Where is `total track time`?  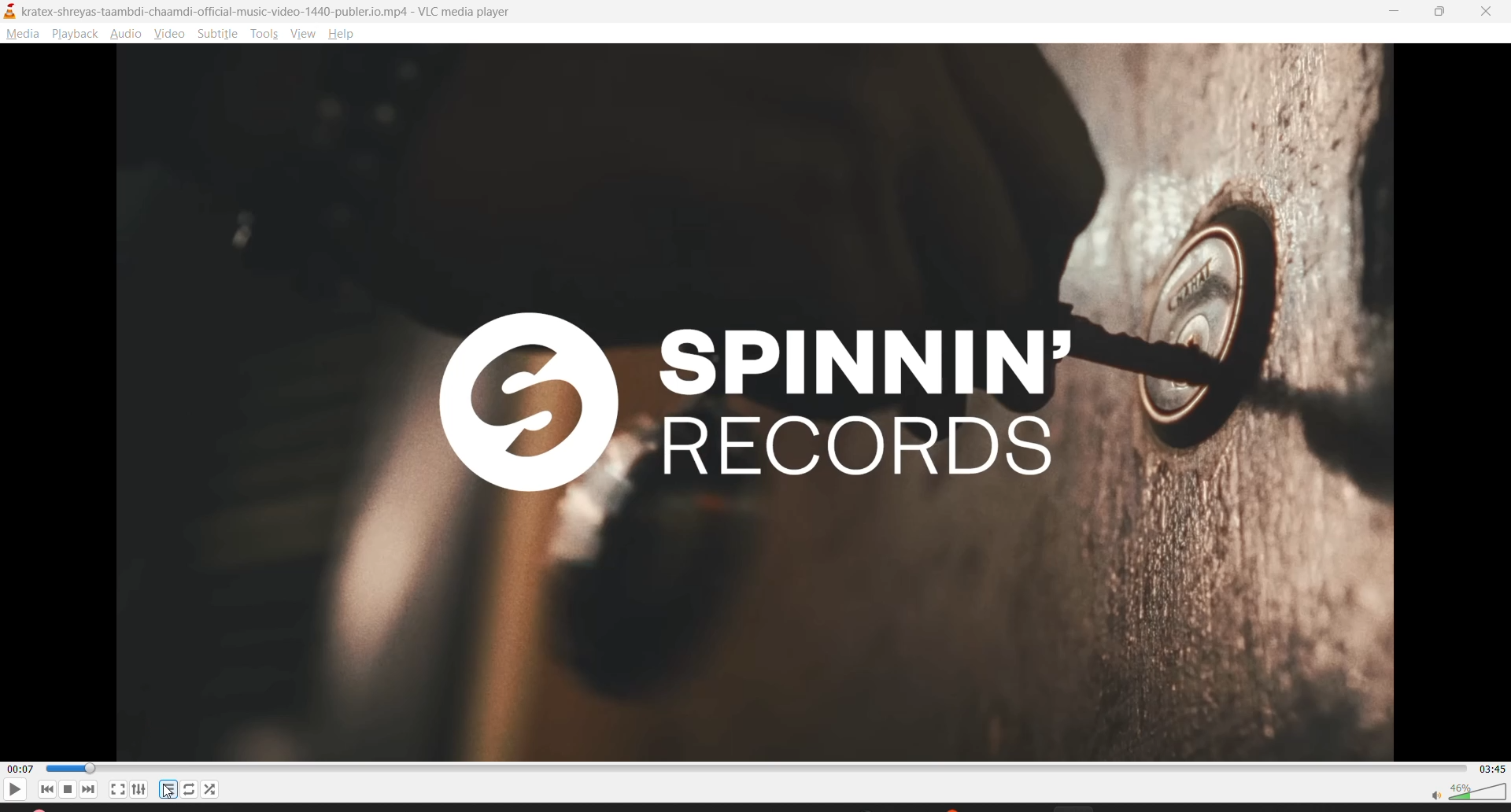
total track time is located at coordinates (1488, 769).